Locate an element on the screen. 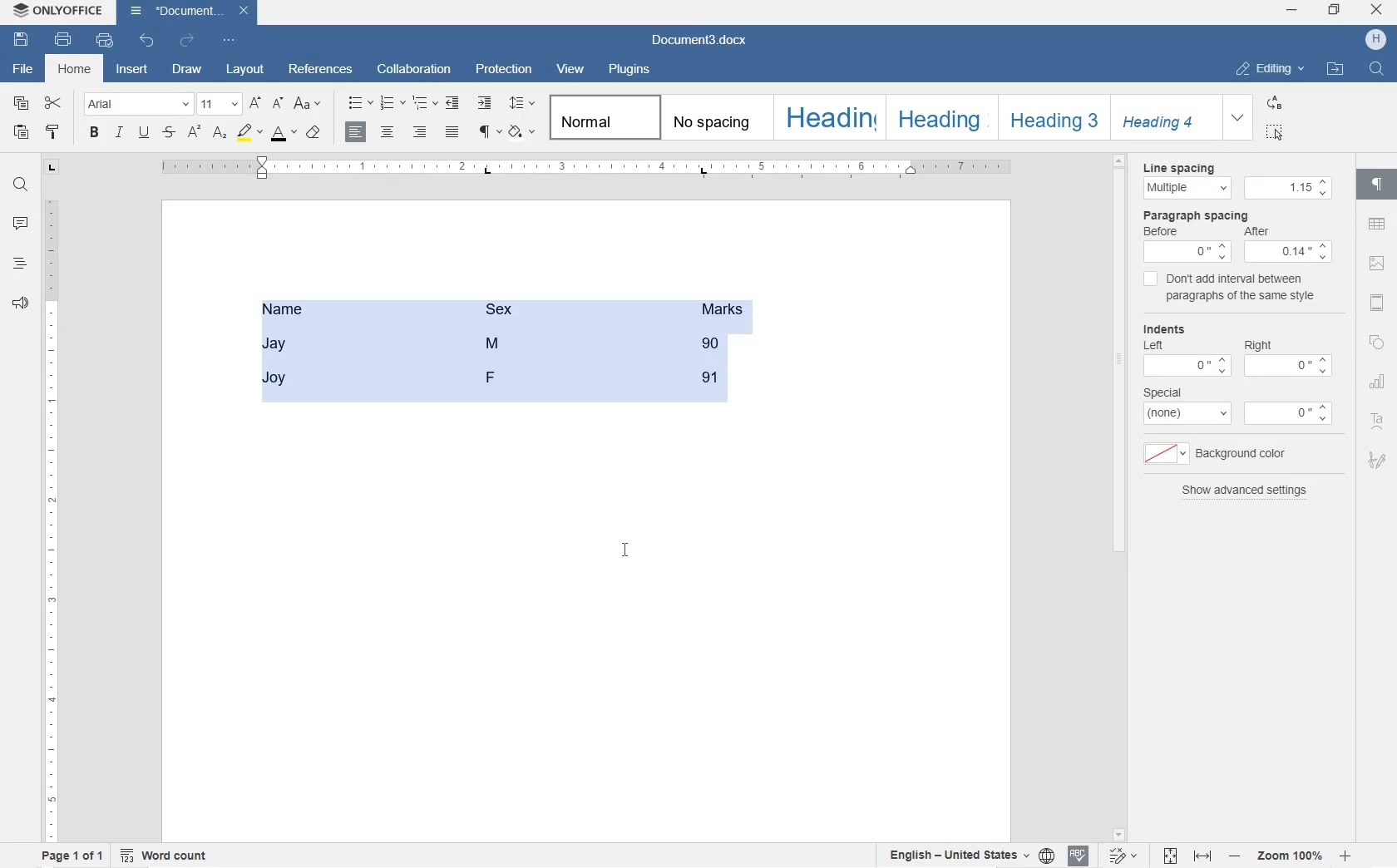 The image size is (1397, 868). Right is located at coordinates (1289, 358).